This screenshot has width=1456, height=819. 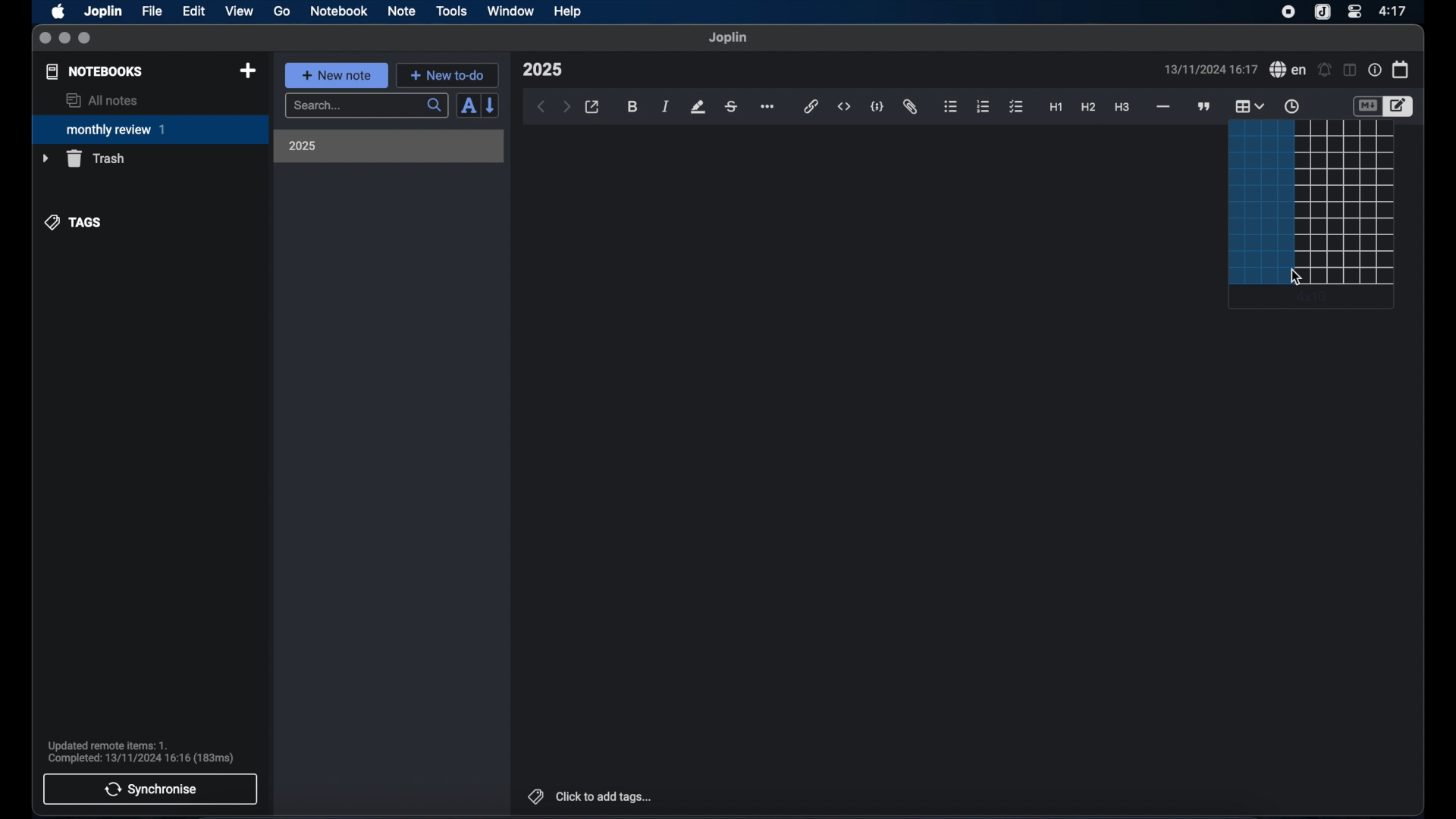 What do you see at coordinates (634, 107) in the screenshot?
I see `bold` at bounding box center [634, 107].